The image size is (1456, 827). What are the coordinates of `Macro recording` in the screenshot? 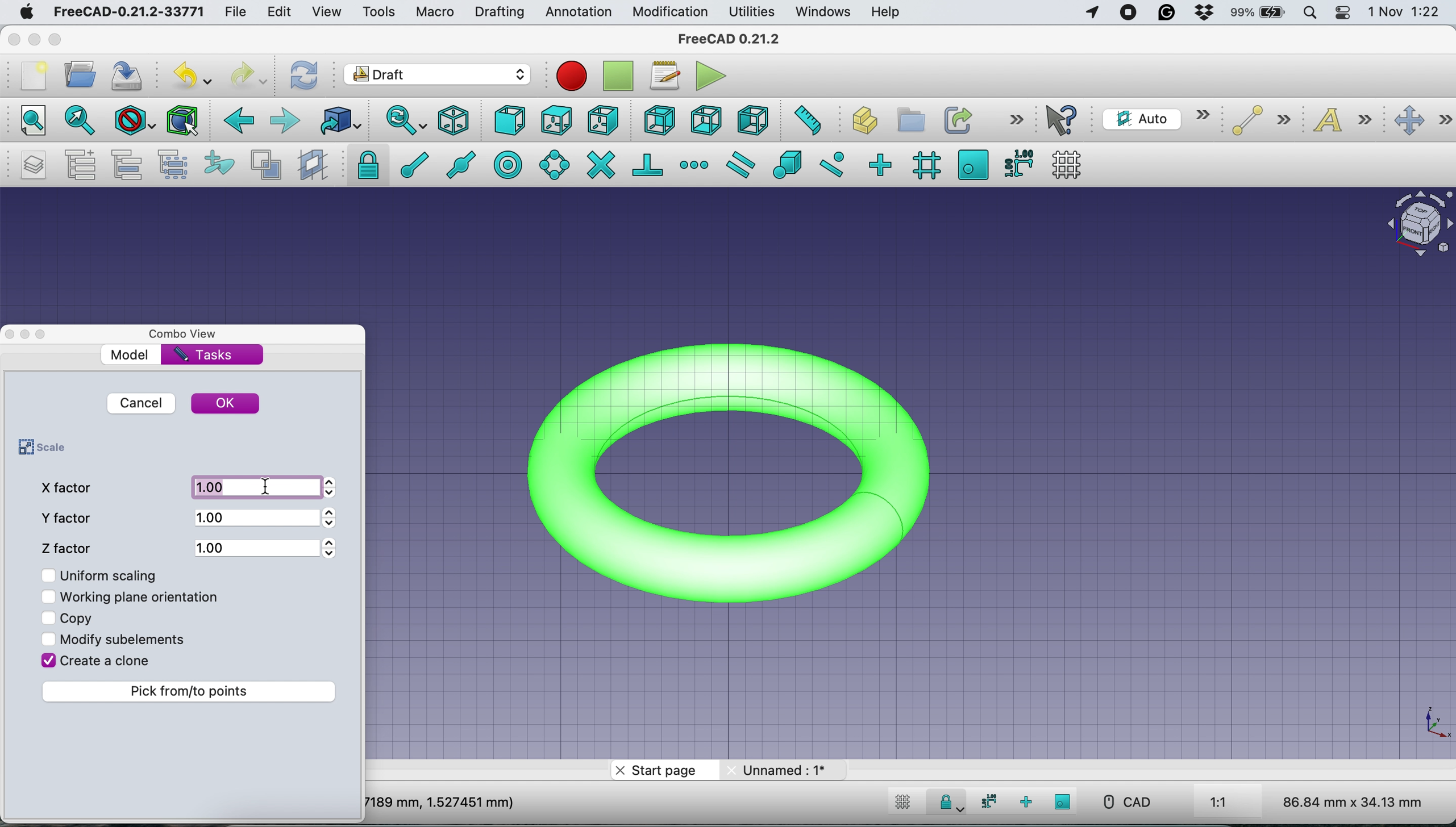 It's located at (571, 76).